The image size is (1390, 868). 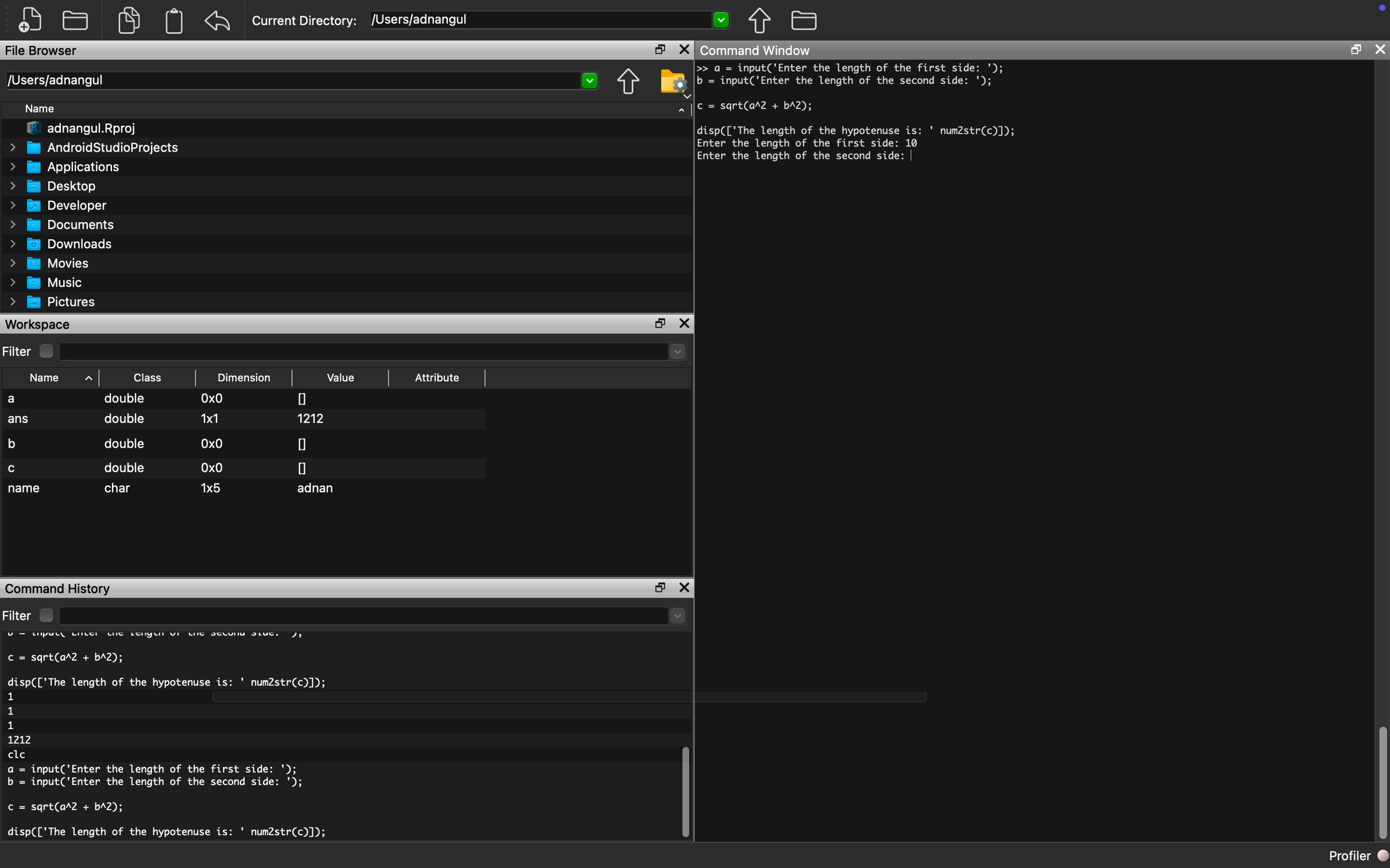 What do you see at coordinates (687, 324) in the screenshot?
I see `close` at bounding box center [687, 324].